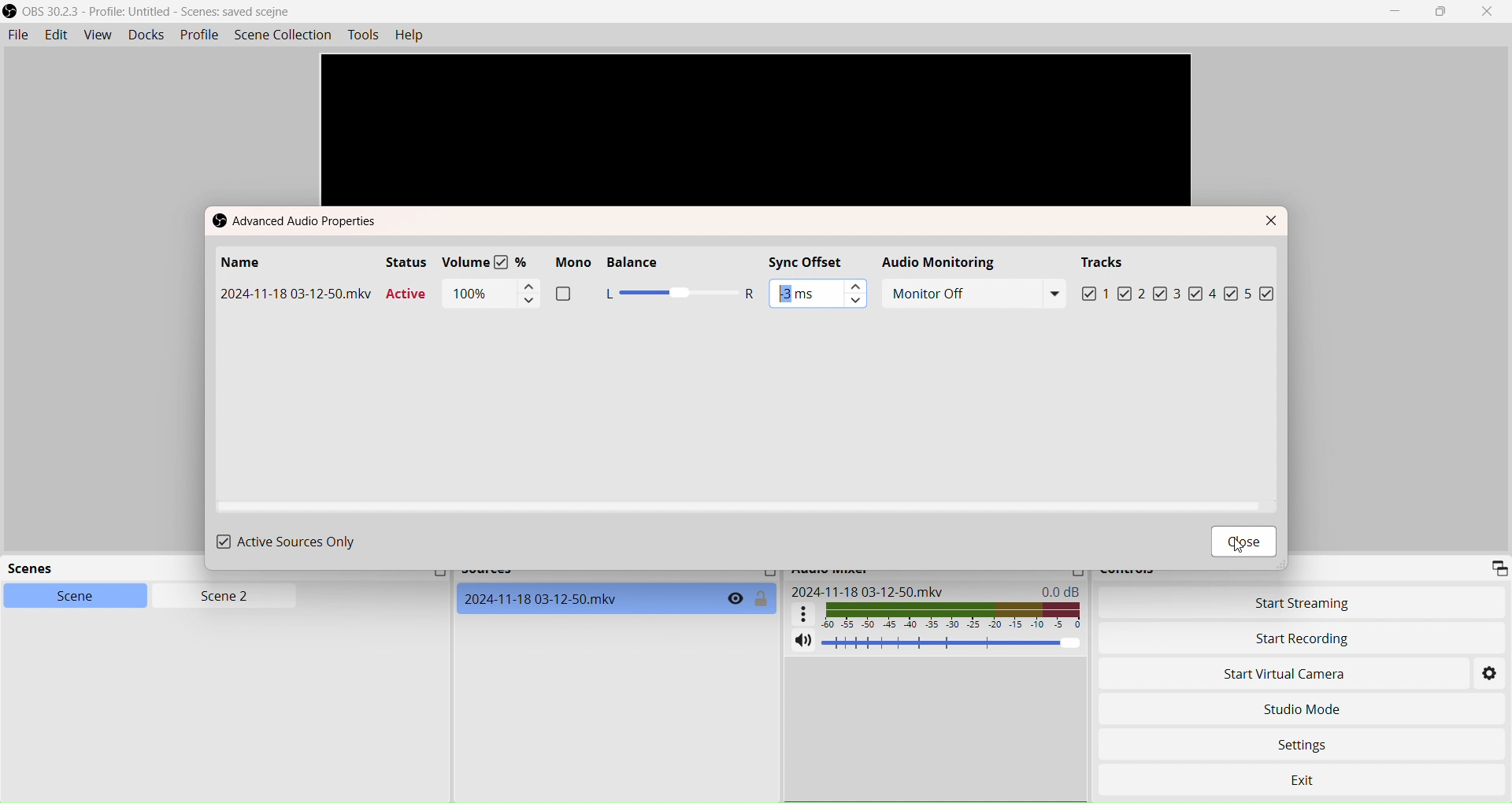 This screenshot has height=803, width=1512. Describe the element at coordinates (1301, 709) in the screenshot. I see `Studio Mode` at that location.